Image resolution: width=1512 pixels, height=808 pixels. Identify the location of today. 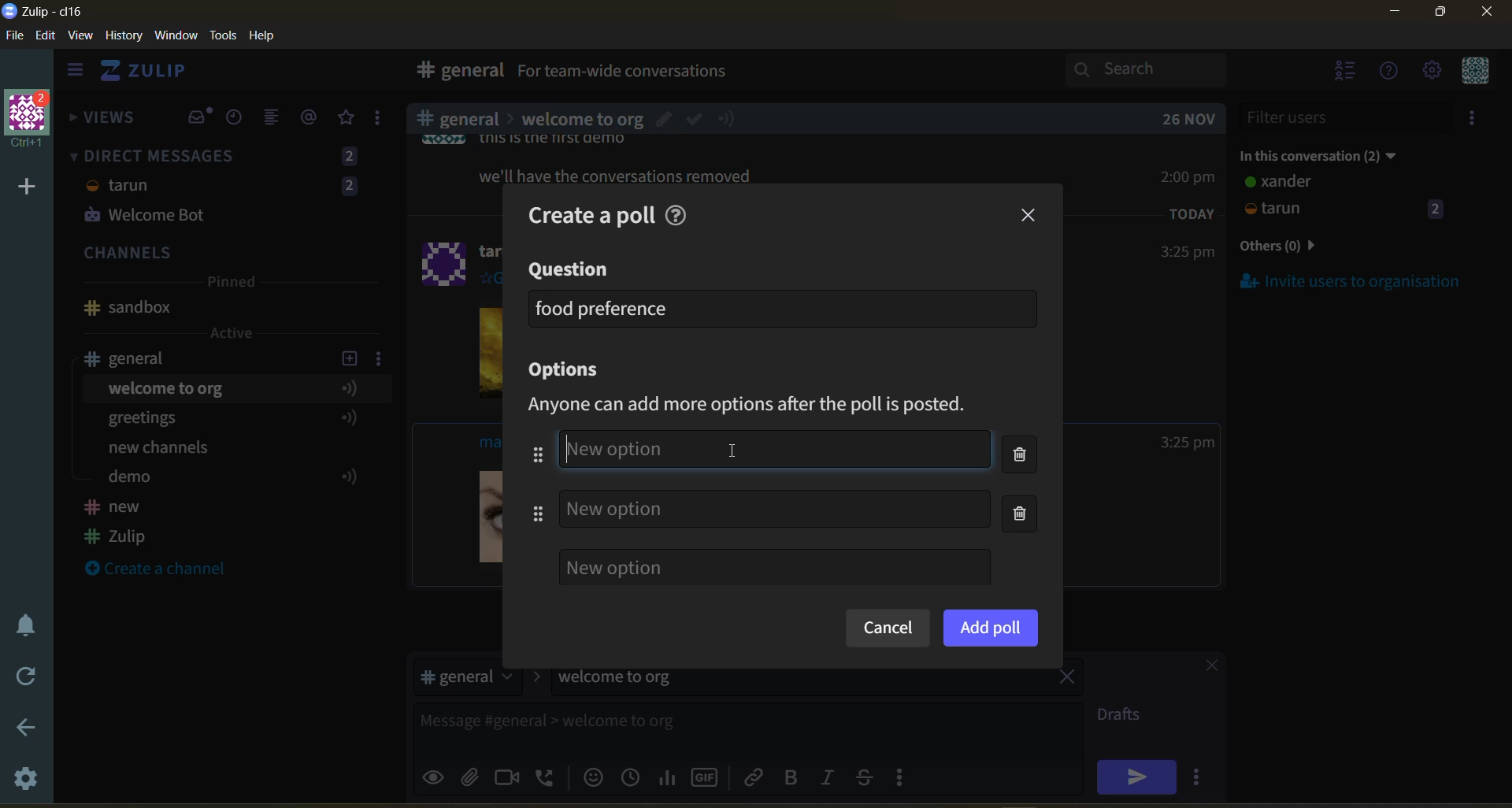
(1192, 213).